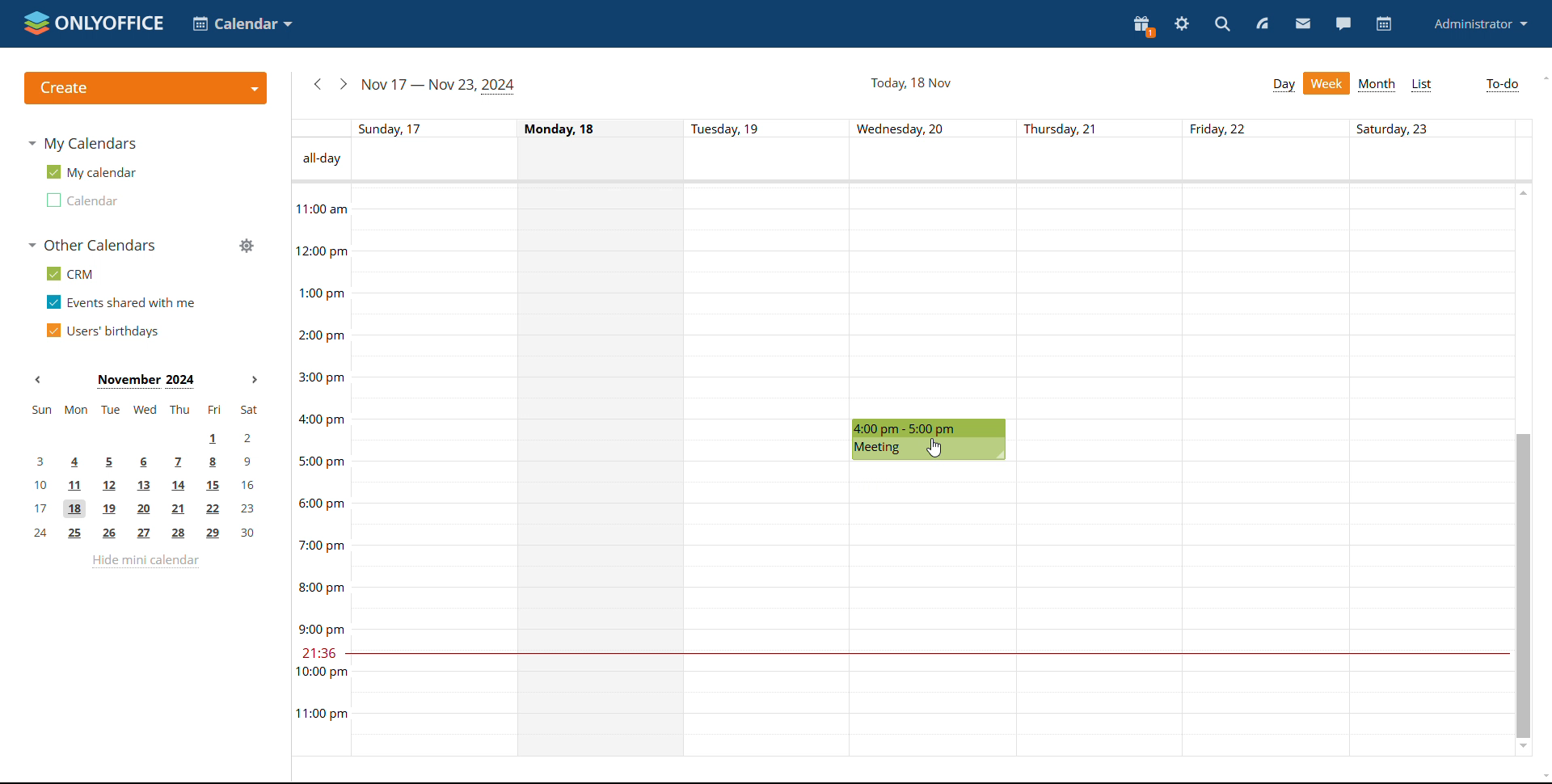 The width and height of the screenshot is (1552, 784). I want to click on chat, so click(1342, 24).